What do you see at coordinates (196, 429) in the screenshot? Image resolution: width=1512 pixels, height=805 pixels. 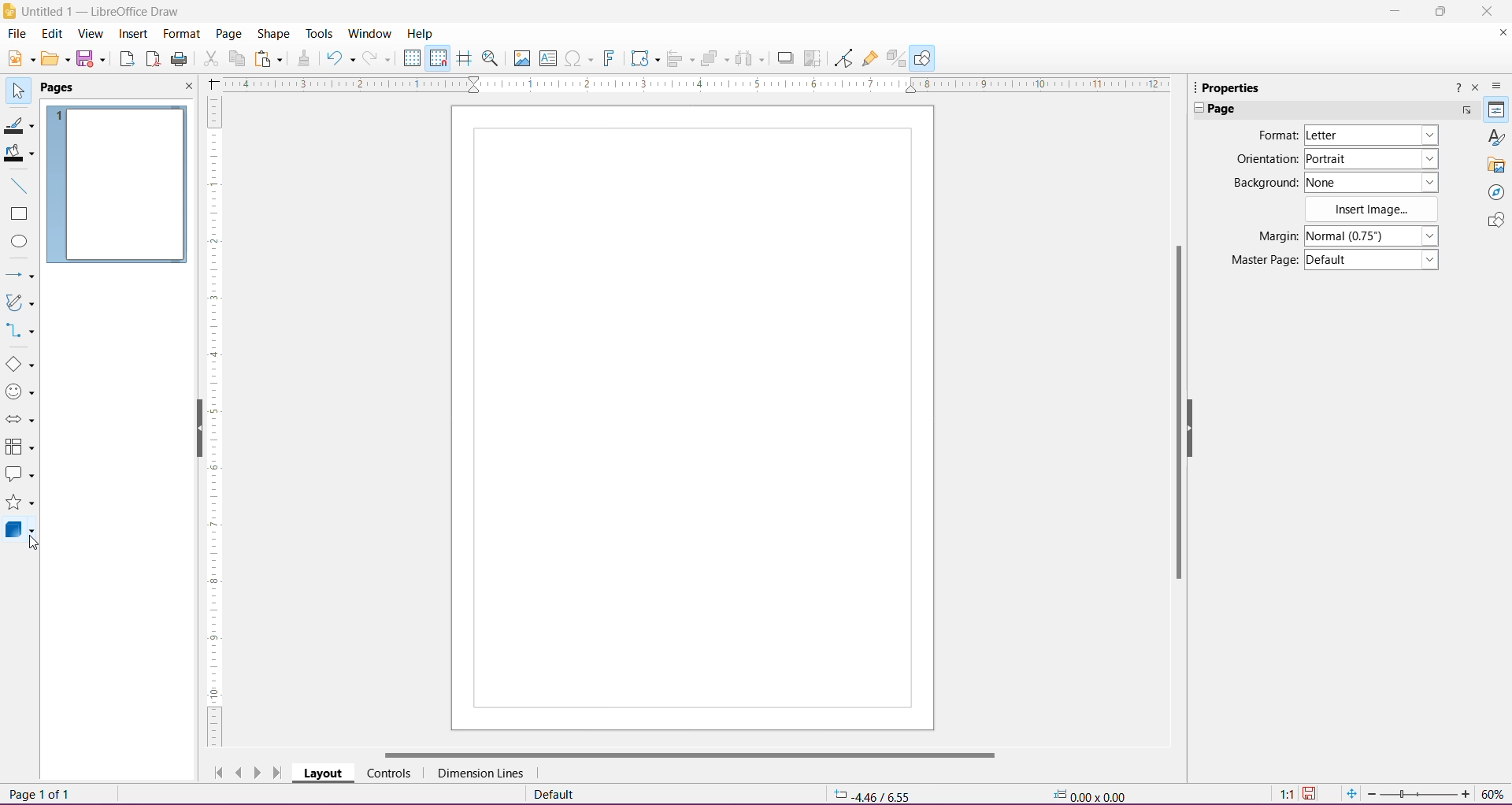 I see `Hide` at bounding box center [196, 429].